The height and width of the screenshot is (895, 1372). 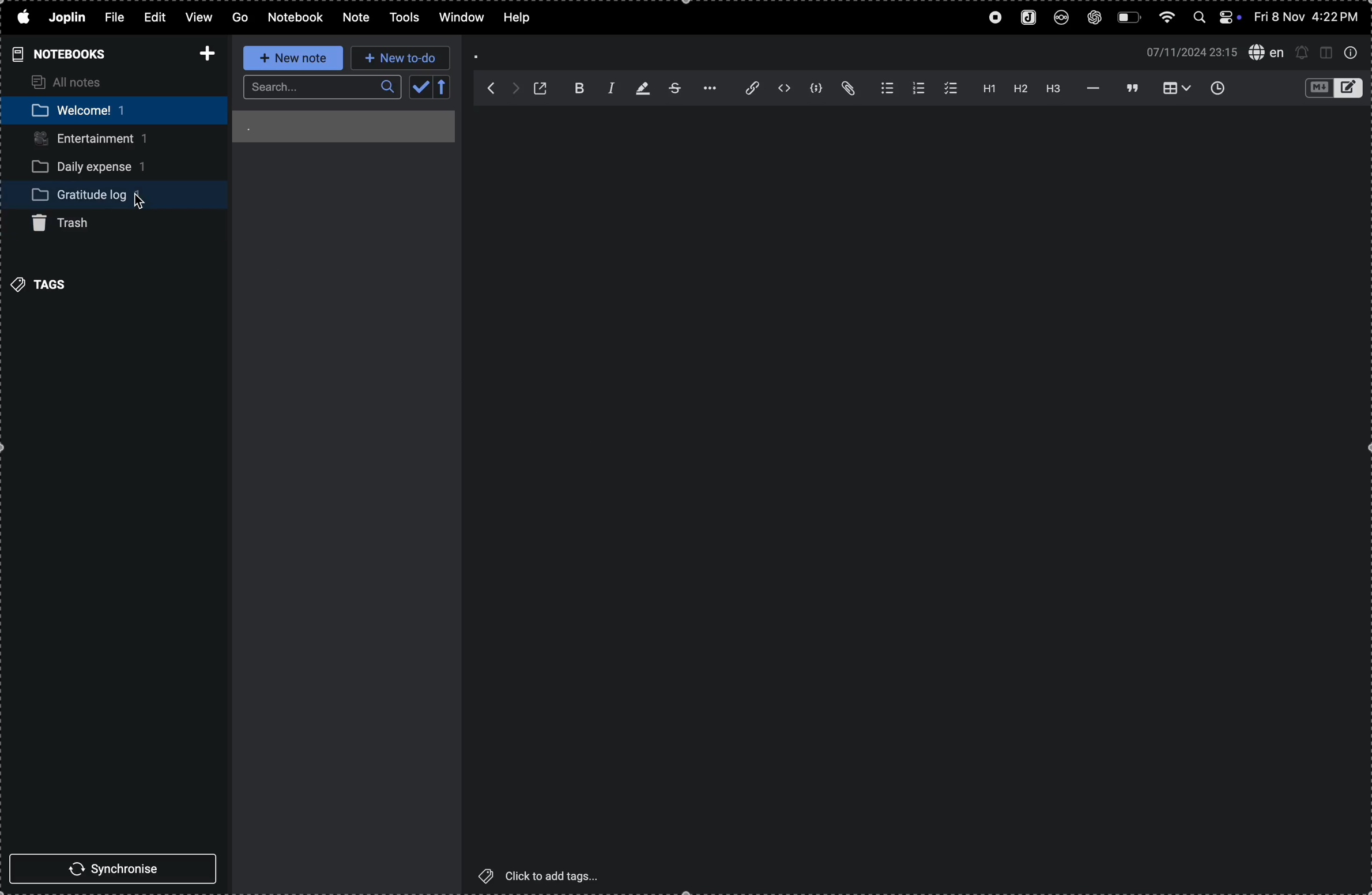 What do you see at coordinates (1173, 87) in the screenshot?
I see `table view` at bounding box center [1173, 87].